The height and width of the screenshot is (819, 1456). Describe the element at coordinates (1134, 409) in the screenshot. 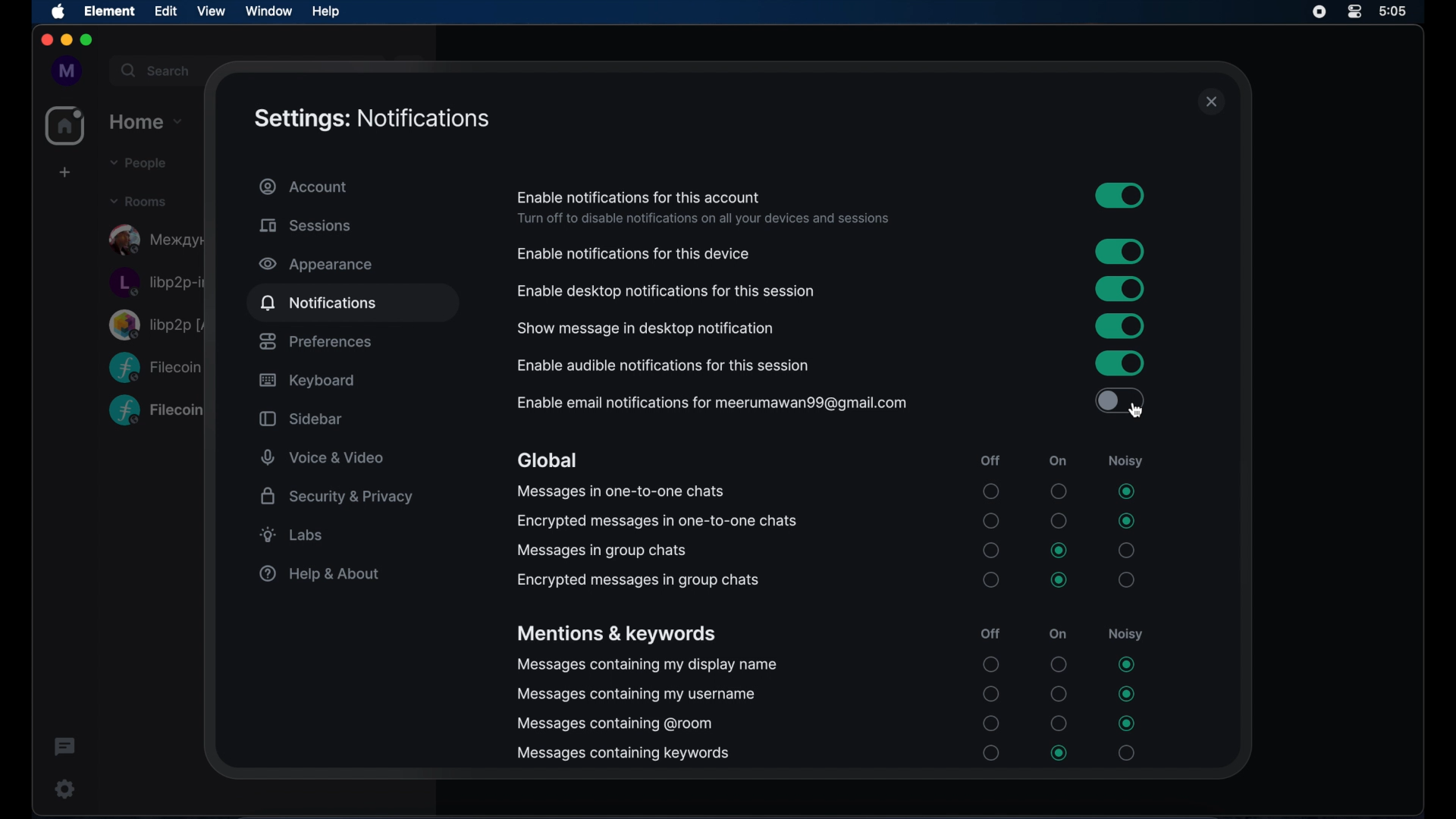

I see `cursor` at that location.